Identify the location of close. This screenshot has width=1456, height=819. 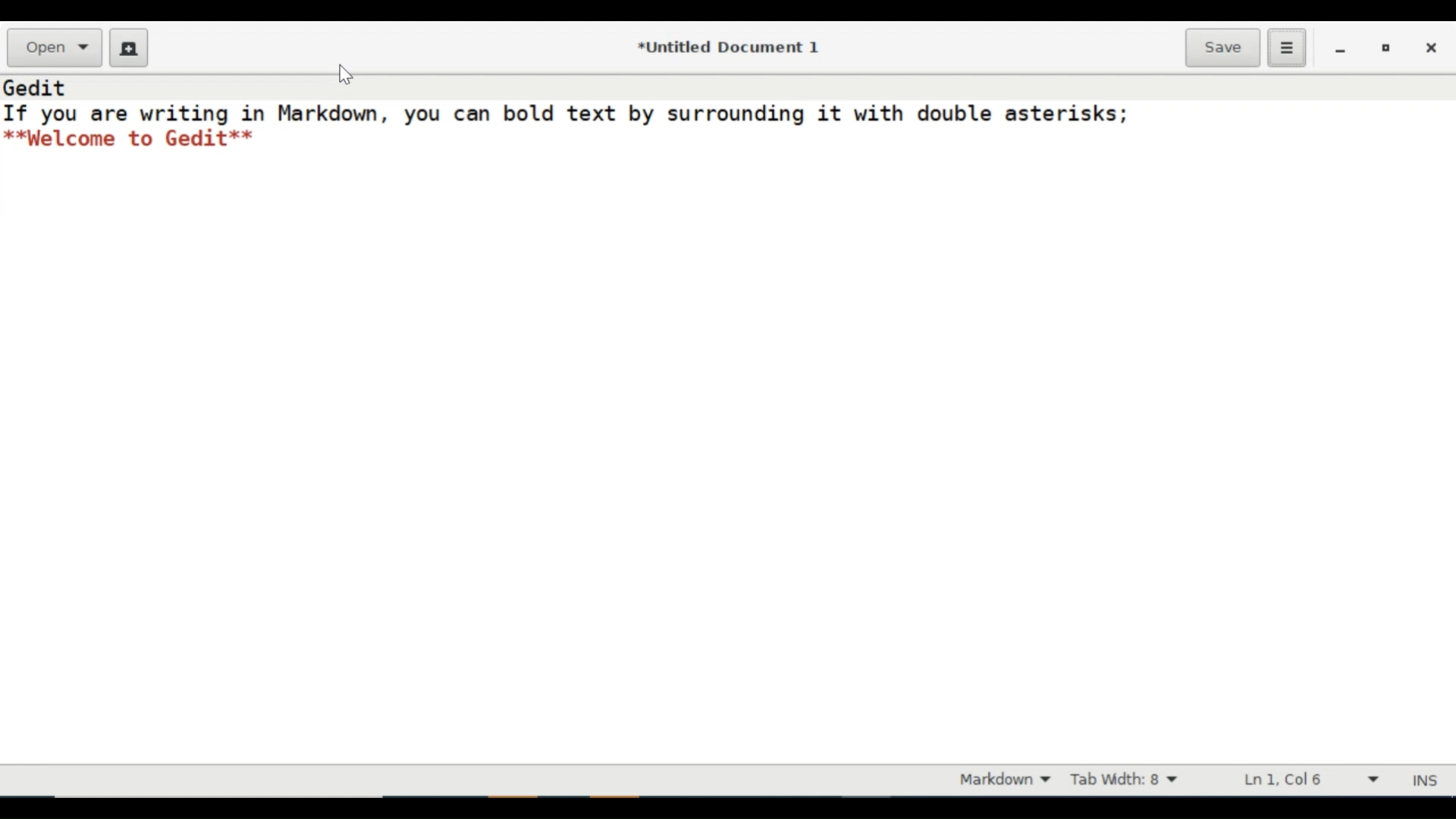
(1431, 47).